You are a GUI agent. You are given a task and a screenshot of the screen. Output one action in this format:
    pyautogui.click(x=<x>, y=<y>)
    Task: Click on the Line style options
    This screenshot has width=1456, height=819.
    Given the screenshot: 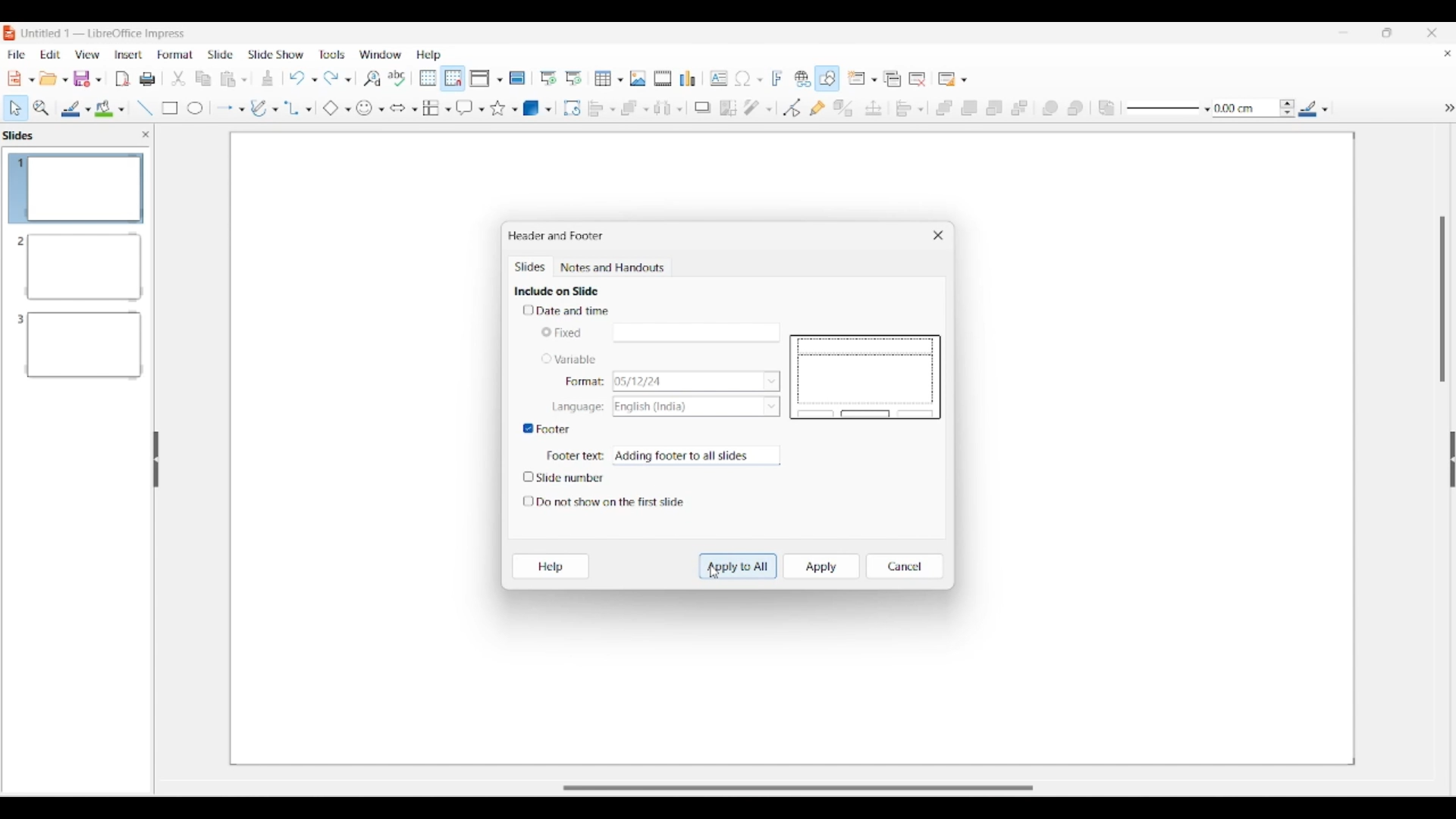 What is the action you would take?
    pyautogui.click(x=1169, y=109)
    